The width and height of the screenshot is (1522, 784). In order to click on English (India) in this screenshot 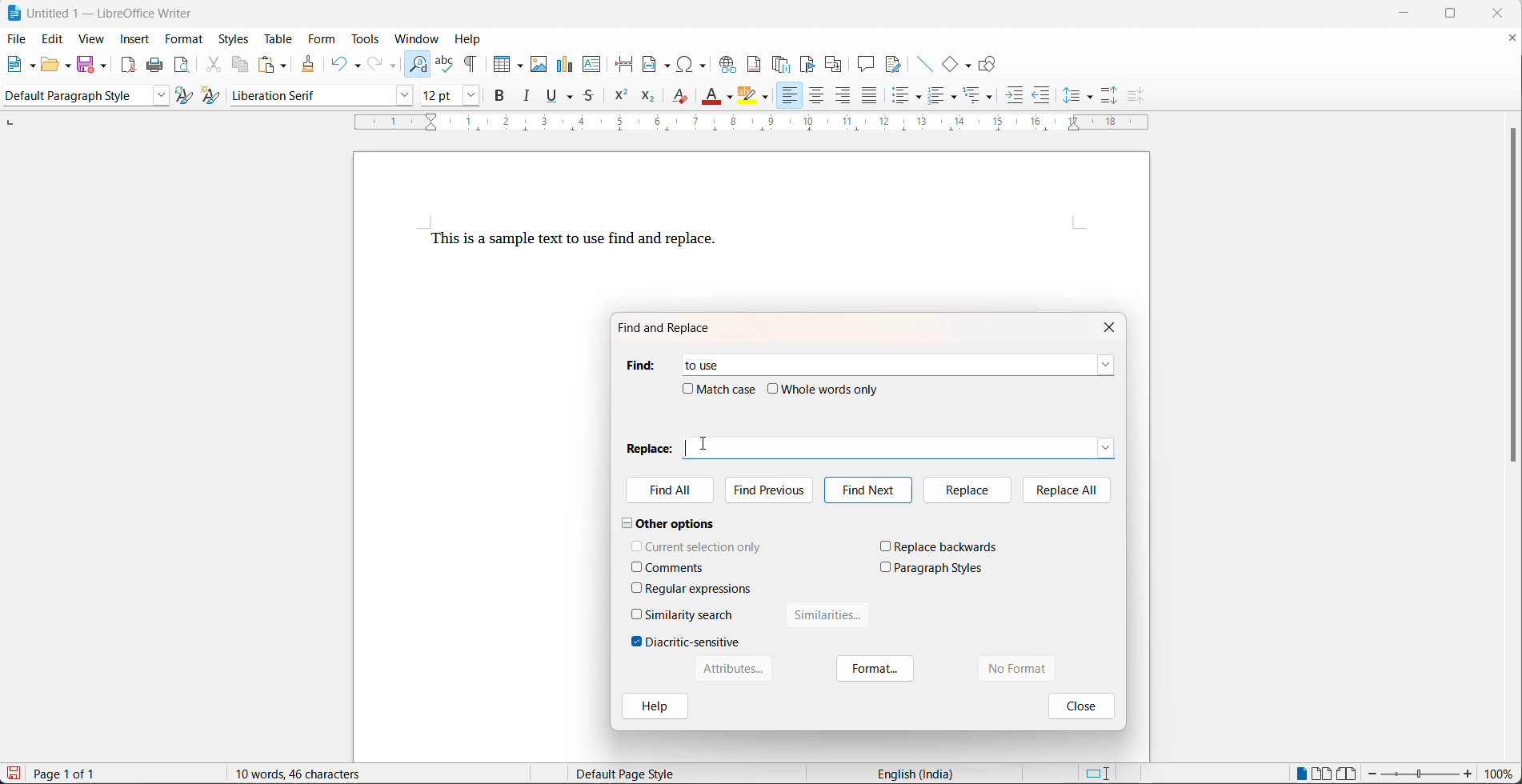, I will do `click(920, 773)`.